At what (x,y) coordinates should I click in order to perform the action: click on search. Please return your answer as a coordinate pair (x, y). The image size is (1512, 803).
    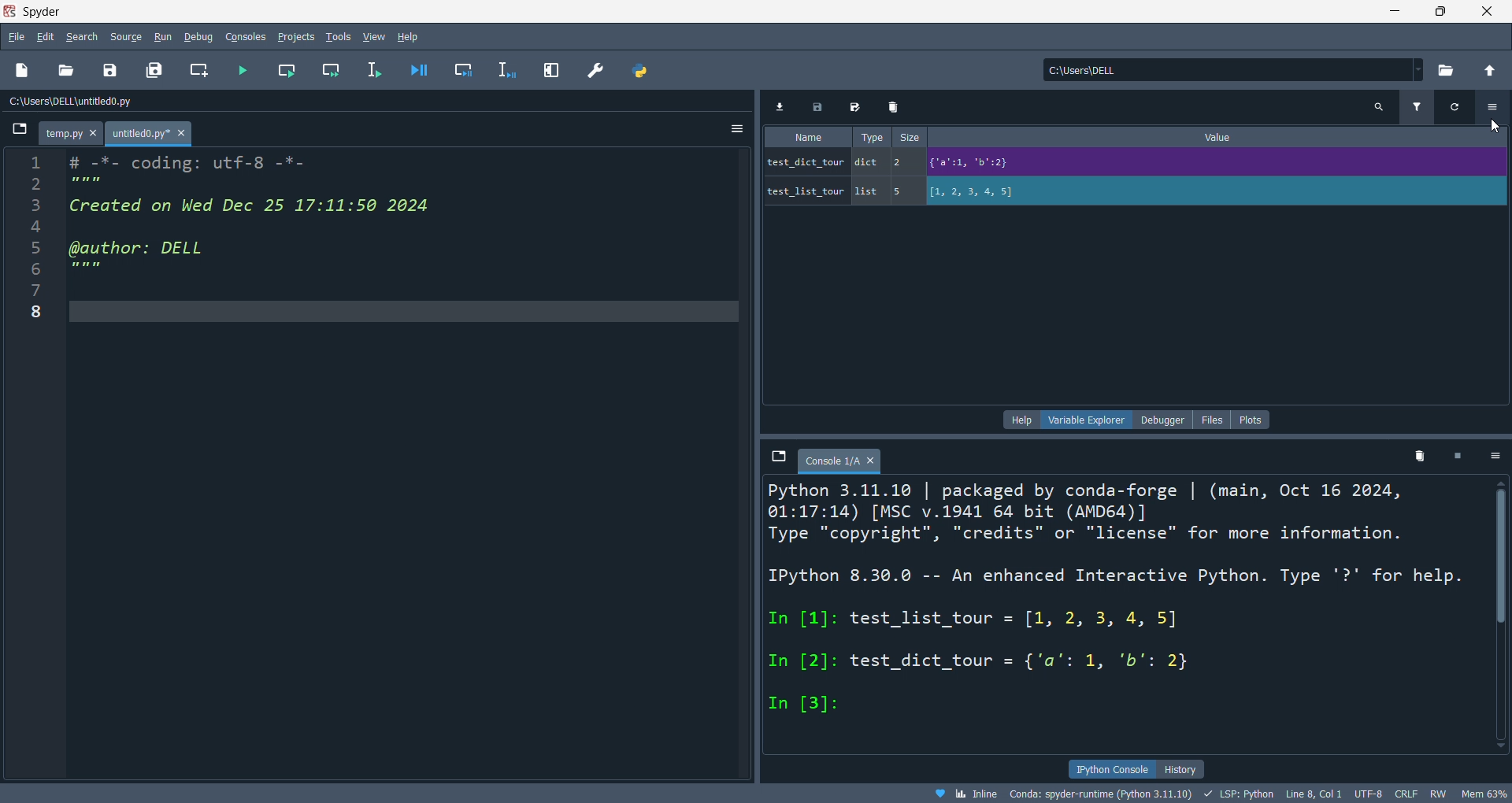
    Looking at the image, I should click on (1384, 109).